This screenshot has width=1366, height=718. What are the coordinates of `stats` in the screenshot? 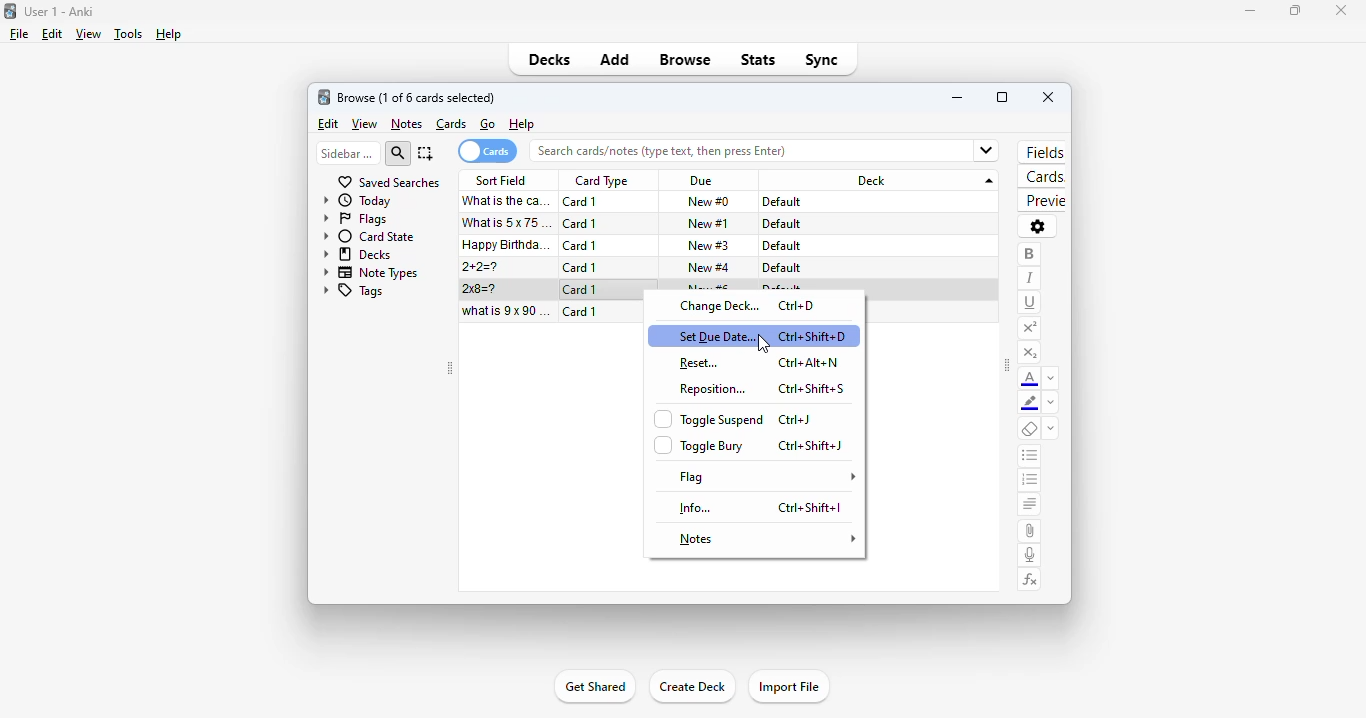 It's located at (758, 59).